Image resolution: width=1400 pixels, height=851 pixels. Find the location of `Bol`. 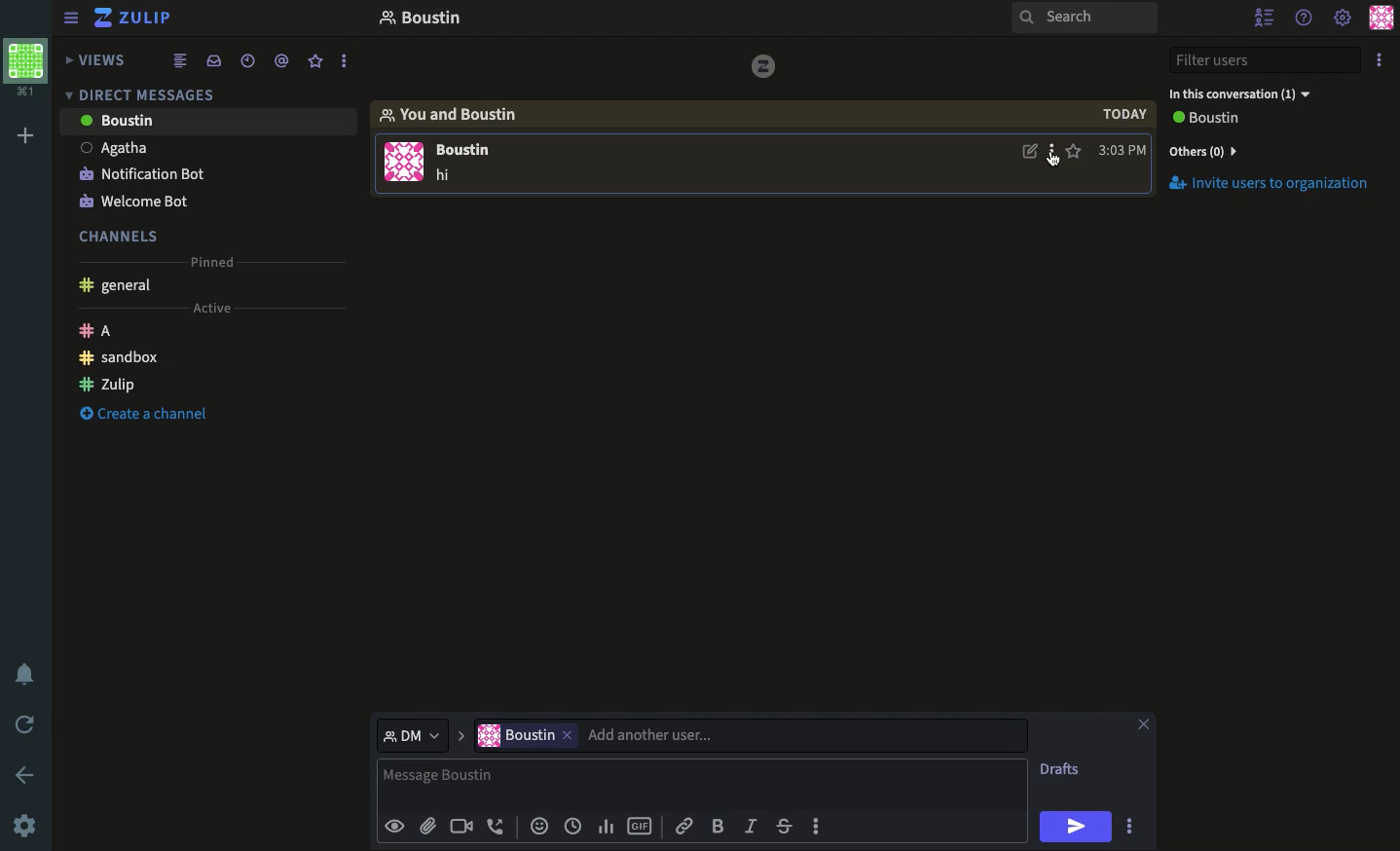

Bol is located at coordinates (721, 827).